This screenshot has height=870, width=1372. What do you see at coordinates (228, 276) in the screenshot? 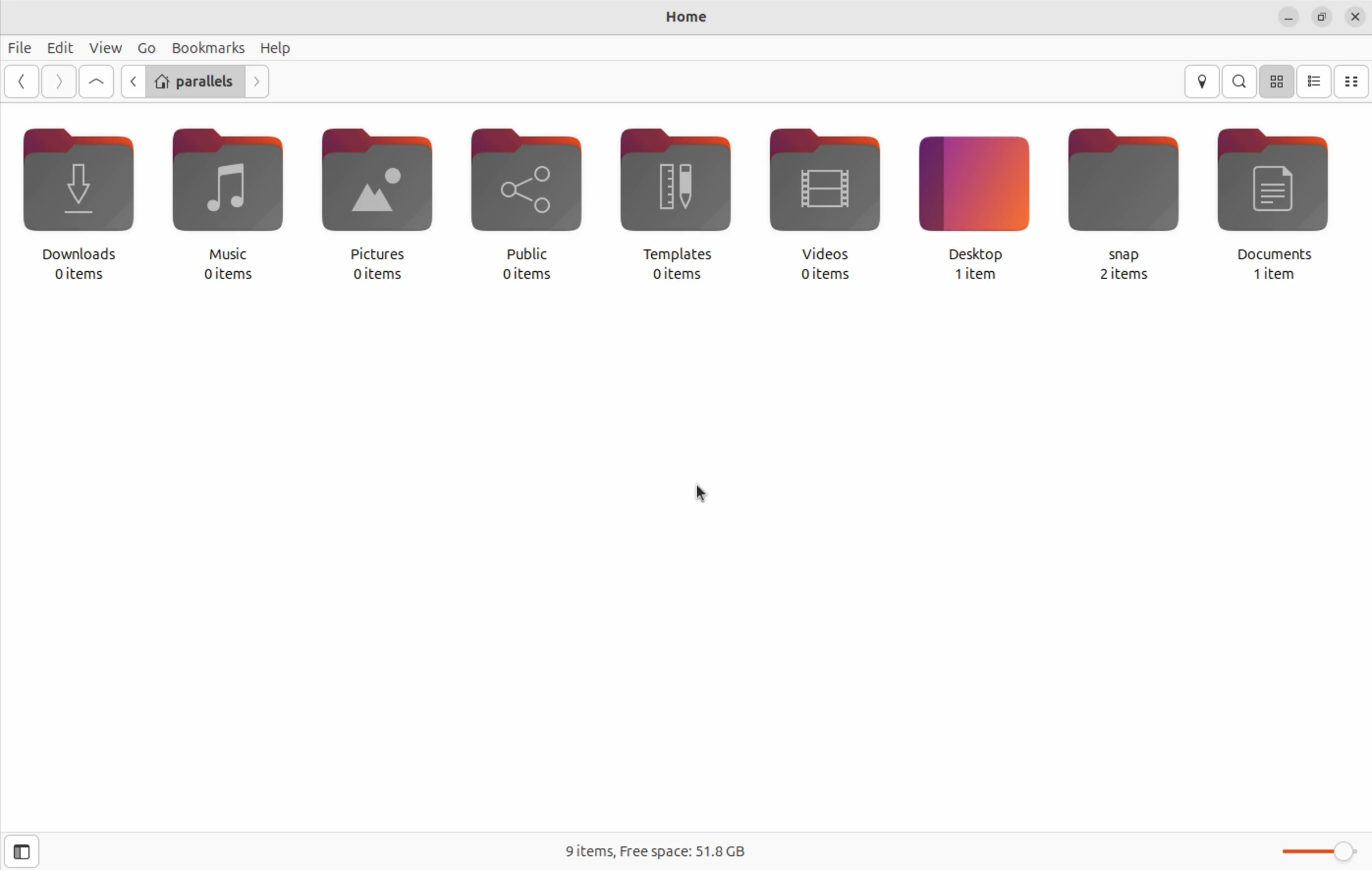
I see `0 items` at bounding box center [228, 276].